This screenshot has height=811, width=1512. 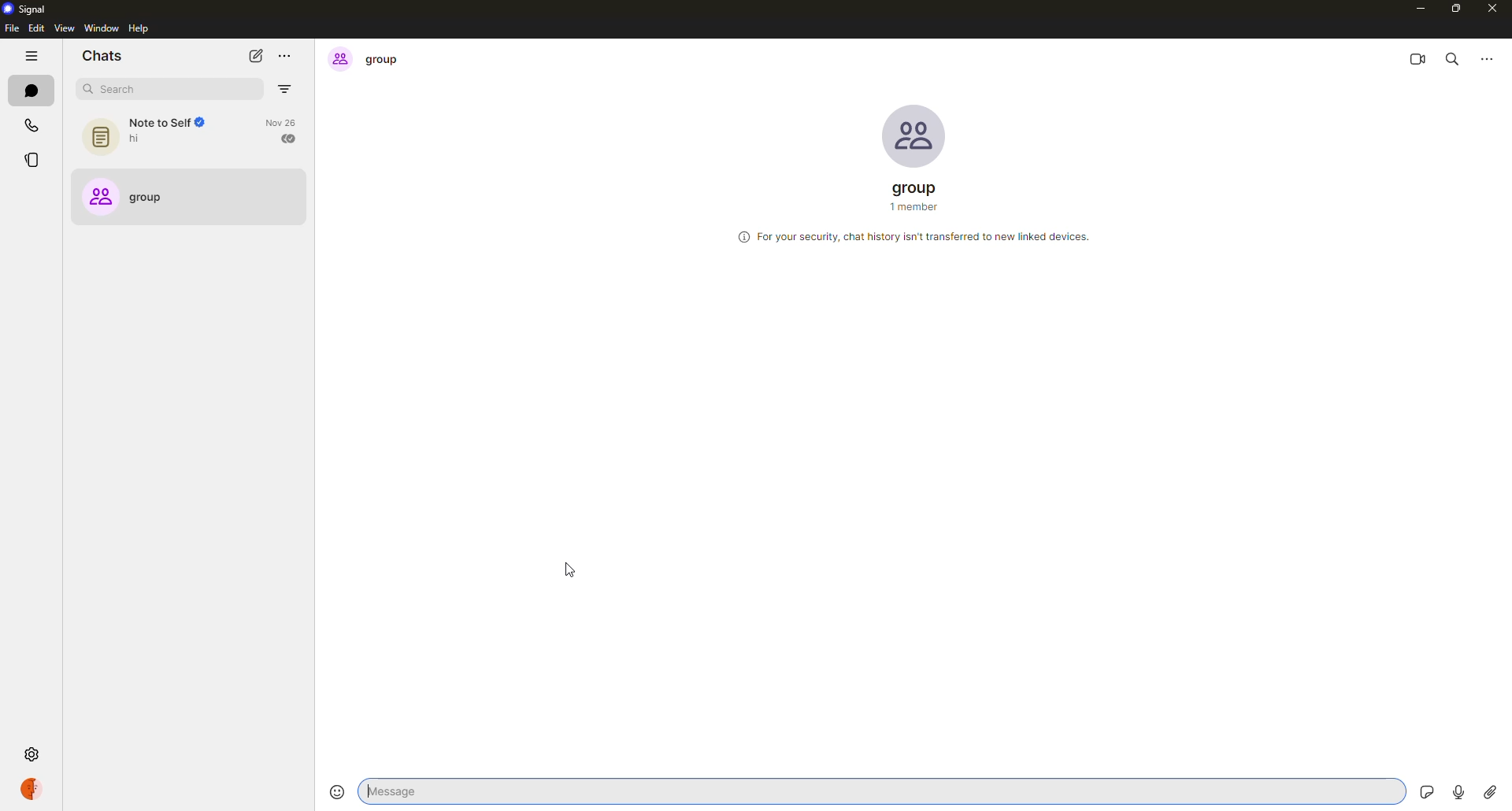 I want to click on minimize, so click(x=1416, y=9).